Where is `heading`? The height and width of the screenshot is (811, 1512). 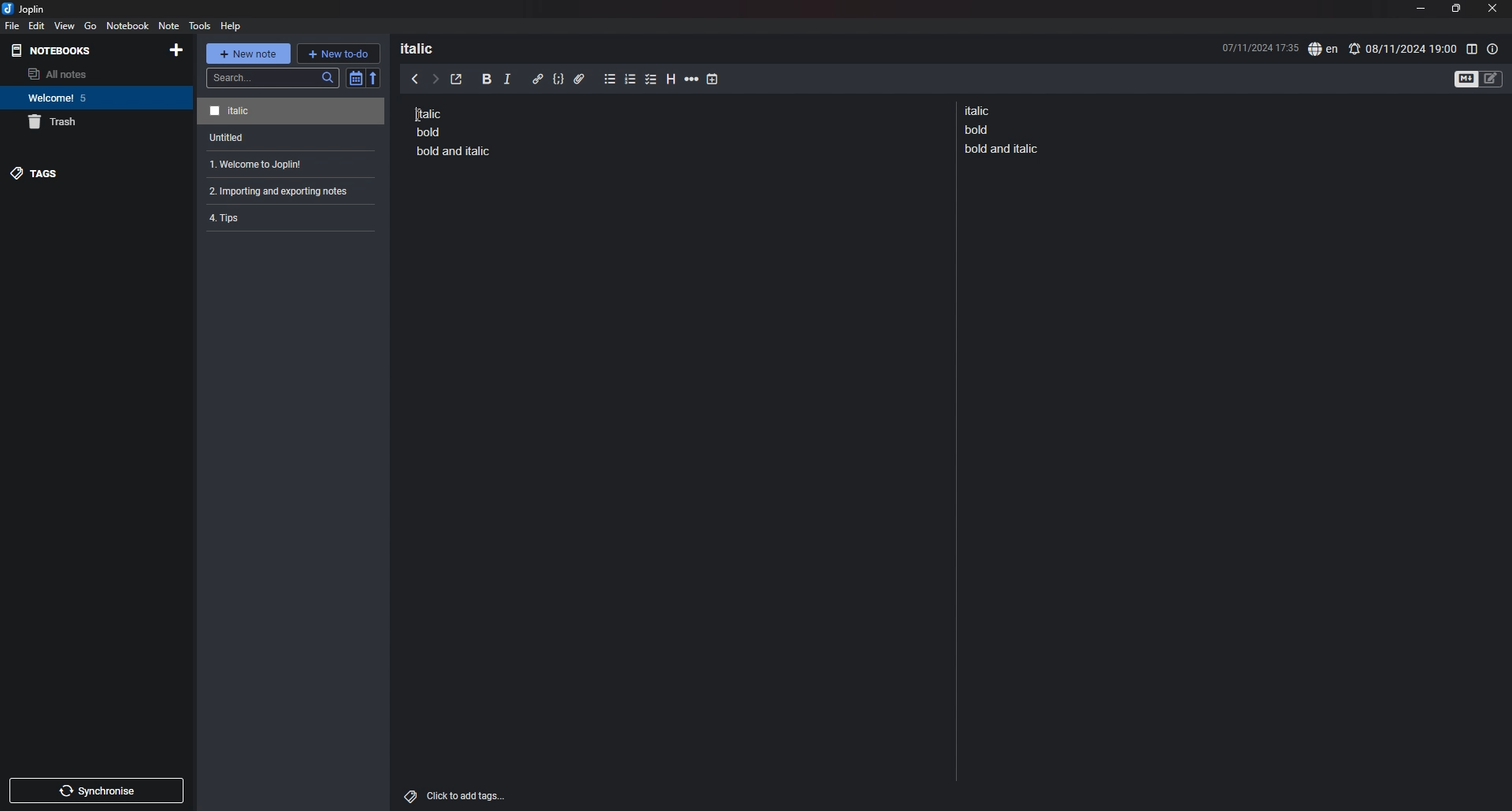
heading is located at coordinates (673, 80).